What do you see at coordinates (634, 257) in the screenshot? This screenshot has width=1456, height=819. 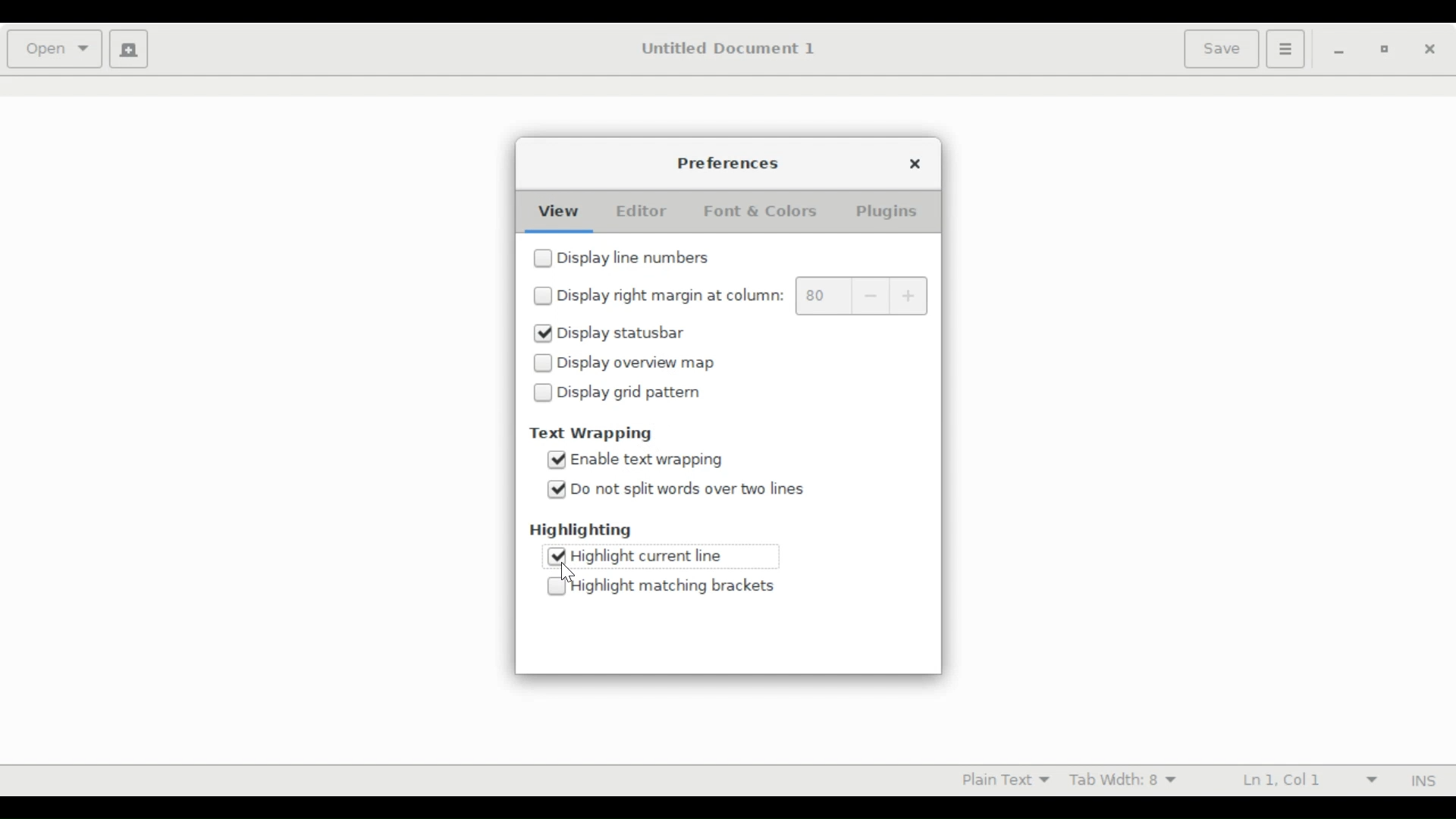 I see `Display line number` at bounding box center [634, 257].